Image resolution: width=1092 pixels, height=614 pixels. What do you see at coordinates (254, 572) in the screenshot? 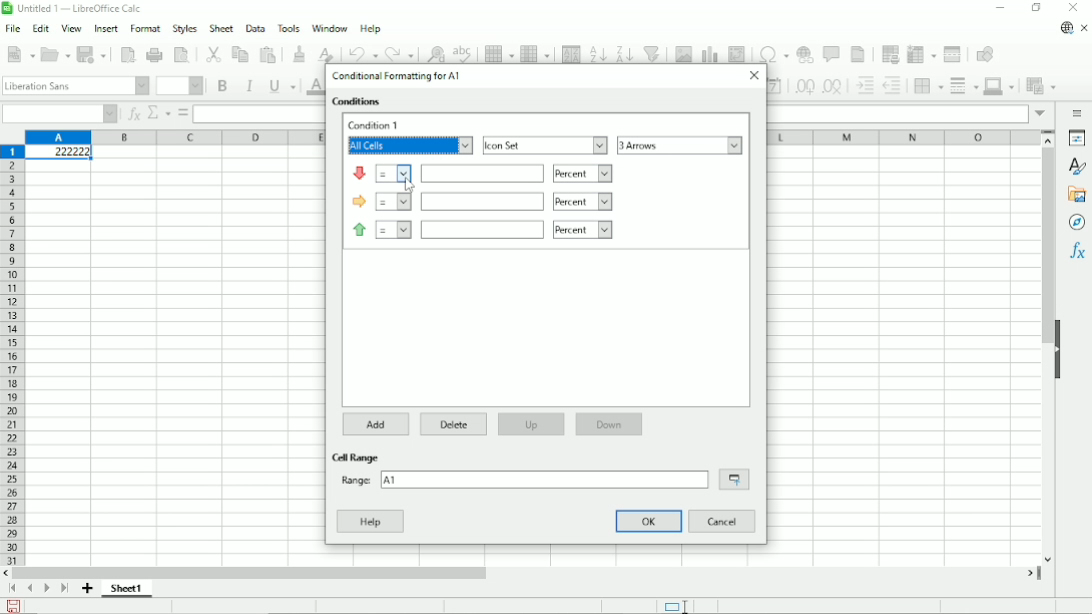
I see `Horizontal scrollbar` at bounding box center [254, 572].